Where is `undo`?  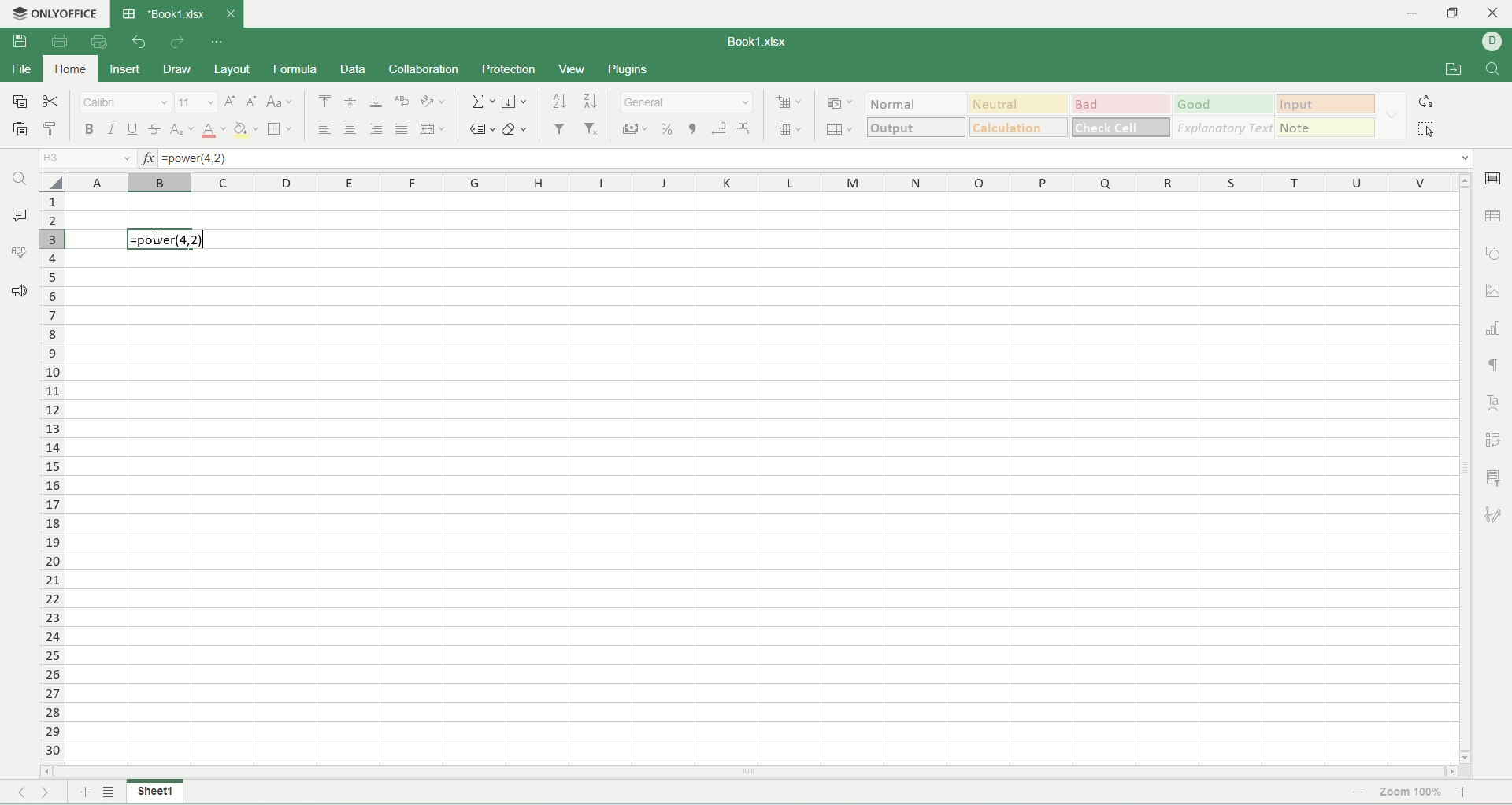
undo is located at coordinates (140, 43).